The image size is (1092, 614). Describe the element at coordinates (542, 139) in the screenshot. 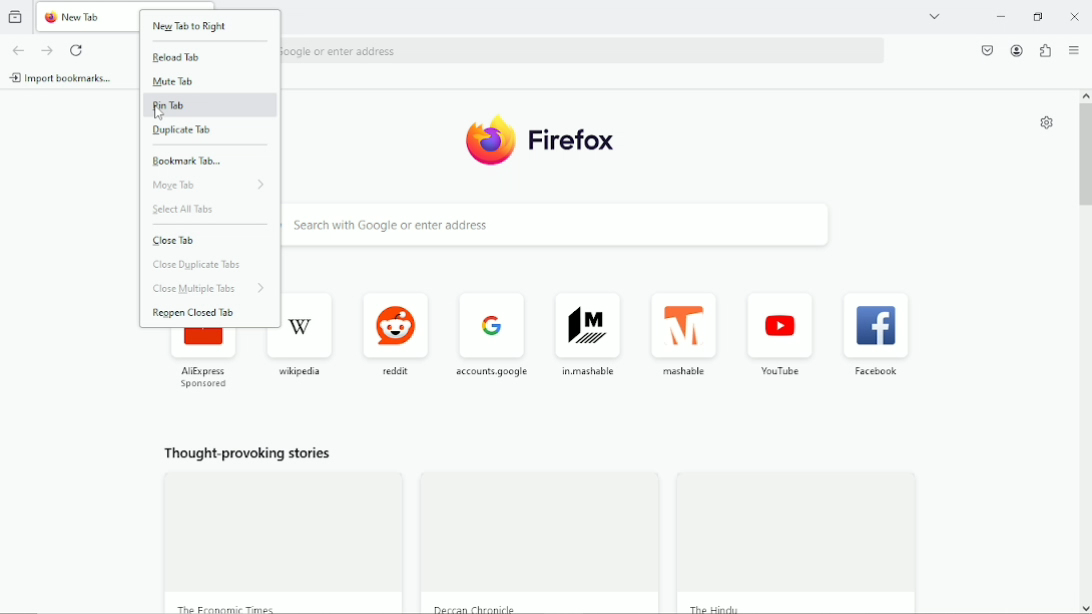

I see `Firefox` at that location.